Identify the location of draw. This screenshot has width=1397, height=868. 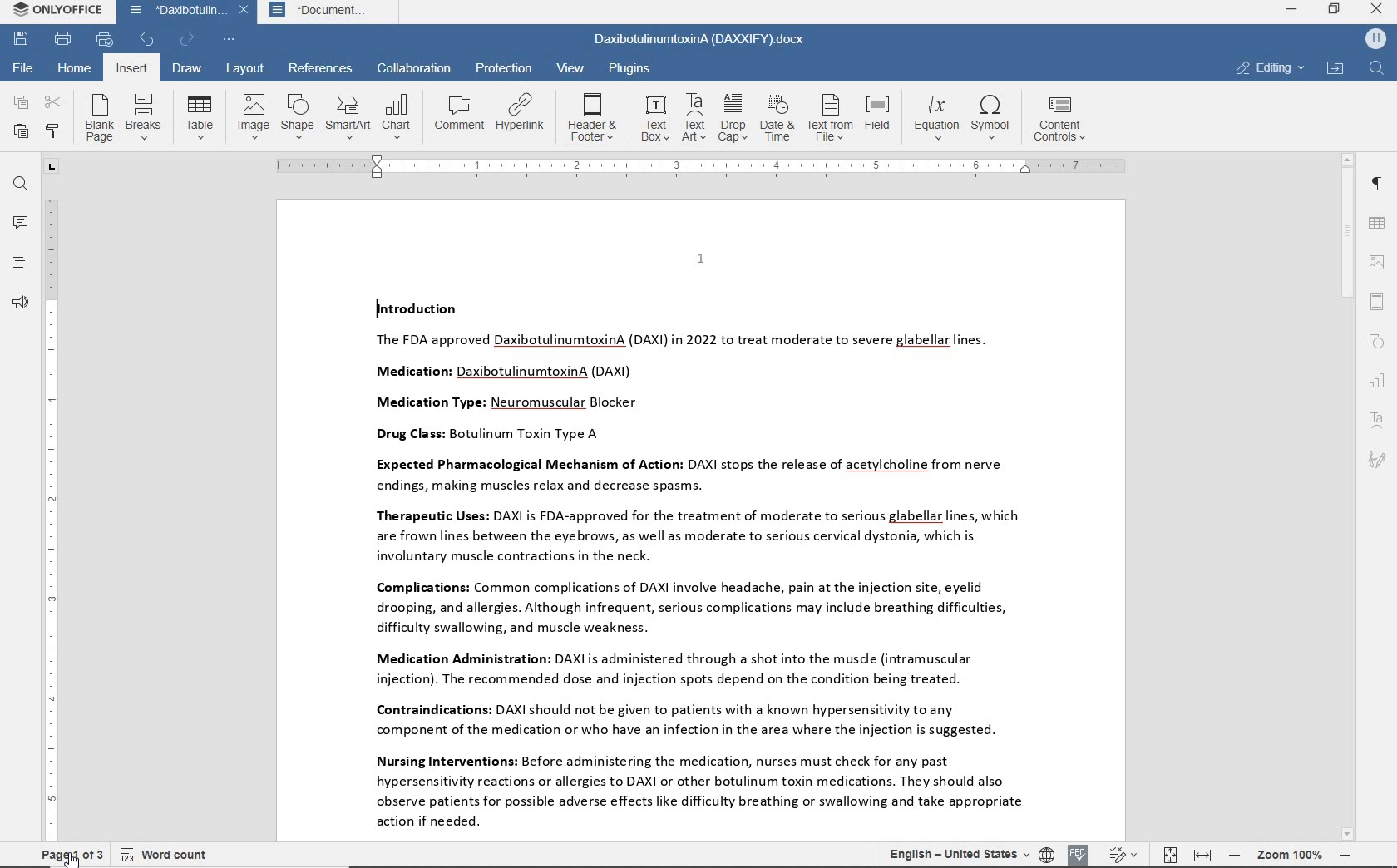
(189, 69).